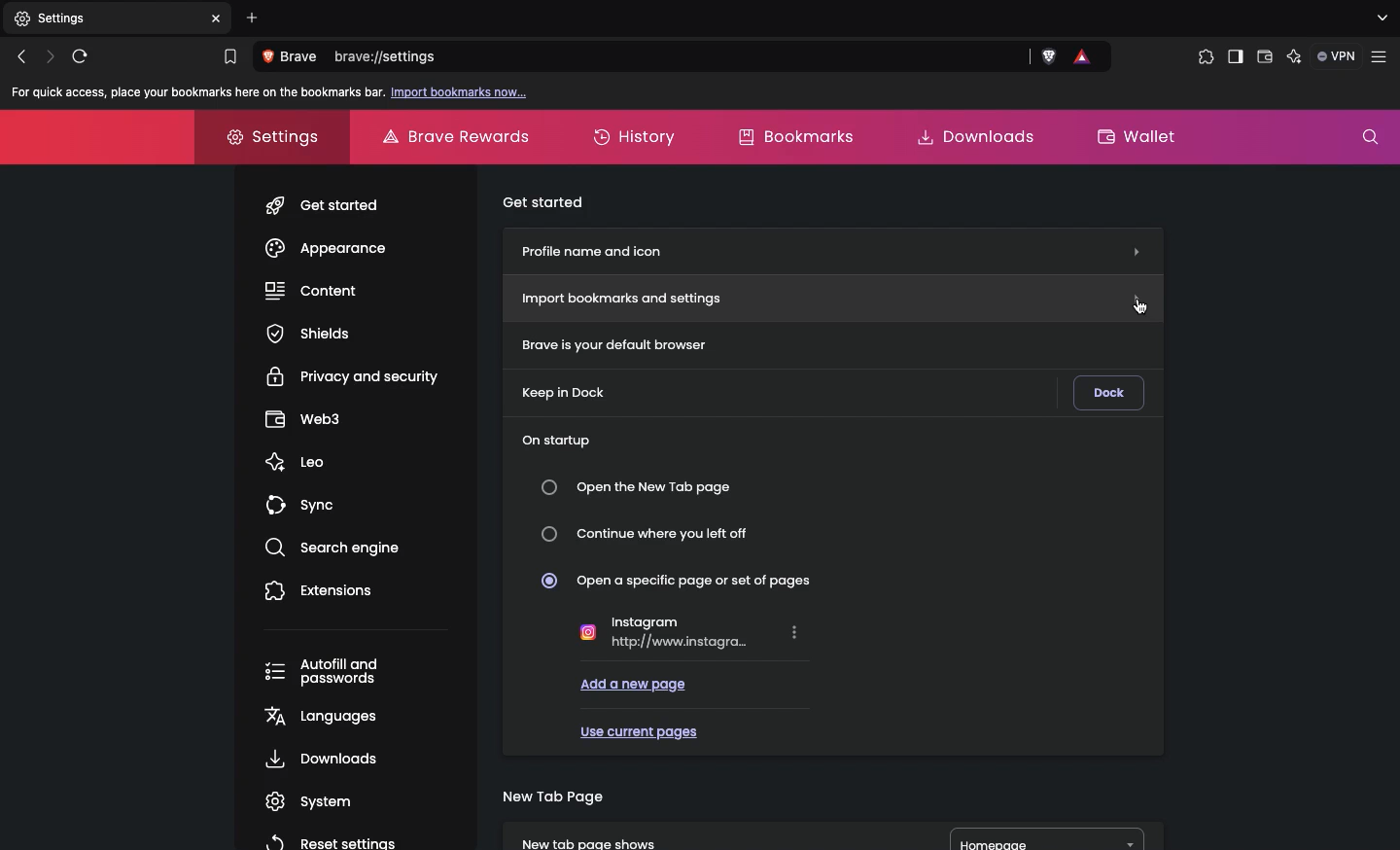  What do you see at coordinates (1202, 57) in the screenshot?
I see `Extensions` at bounding box center [1202, 57].